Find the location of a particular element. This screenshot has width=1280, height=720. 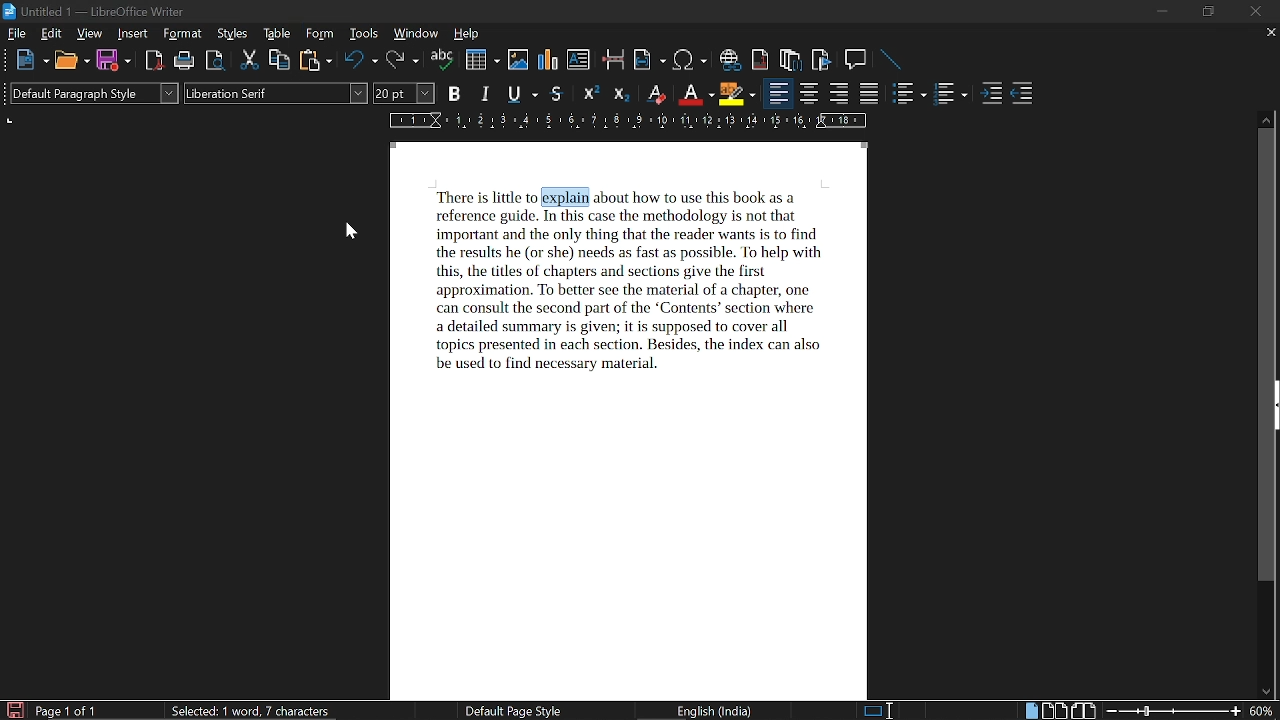

restore down is located at coordinates (1210, 11).